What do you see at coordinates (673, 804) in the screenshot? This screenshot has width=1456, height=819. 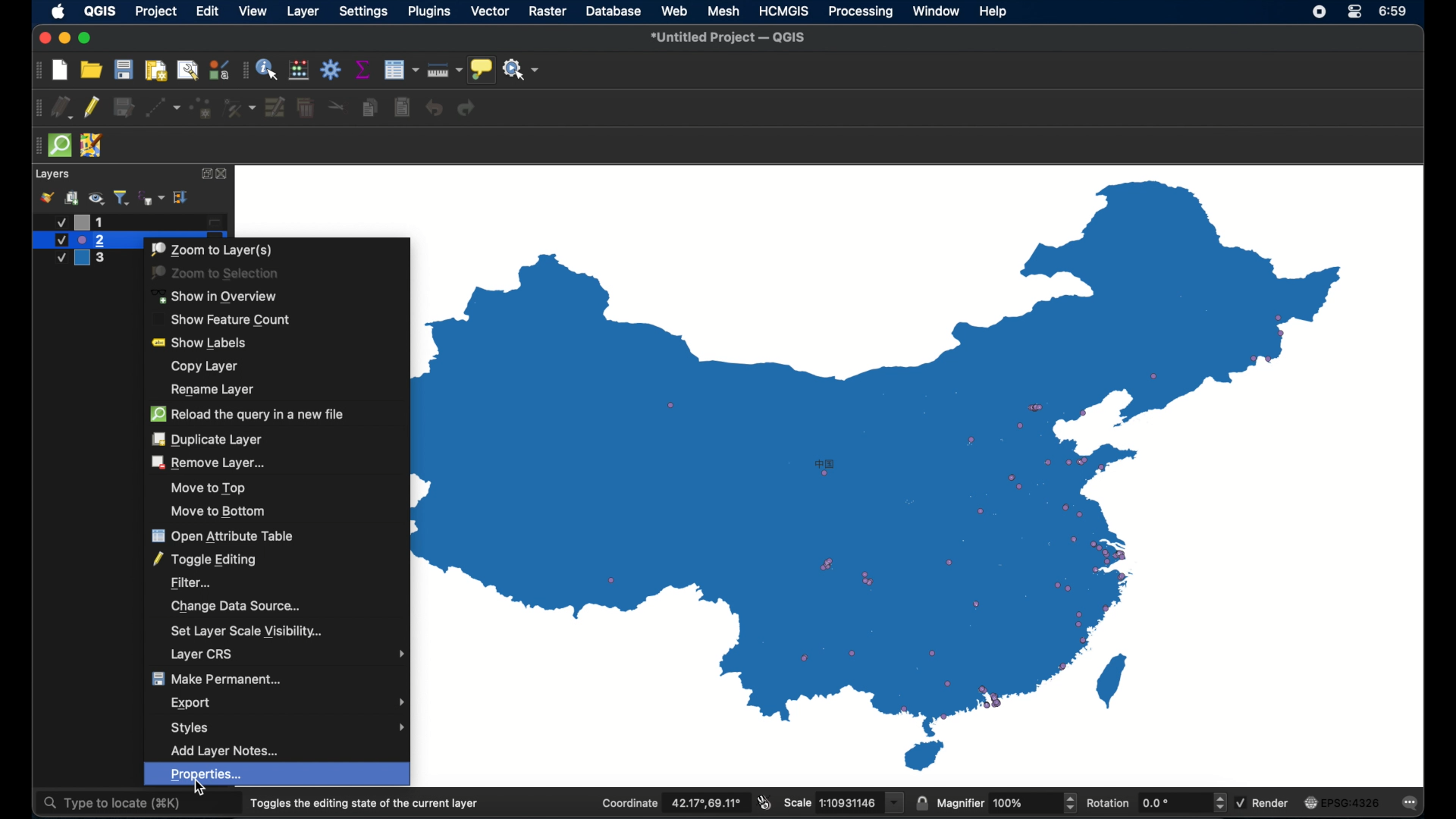 I see `coordinate` at bounding box center [673, 804].